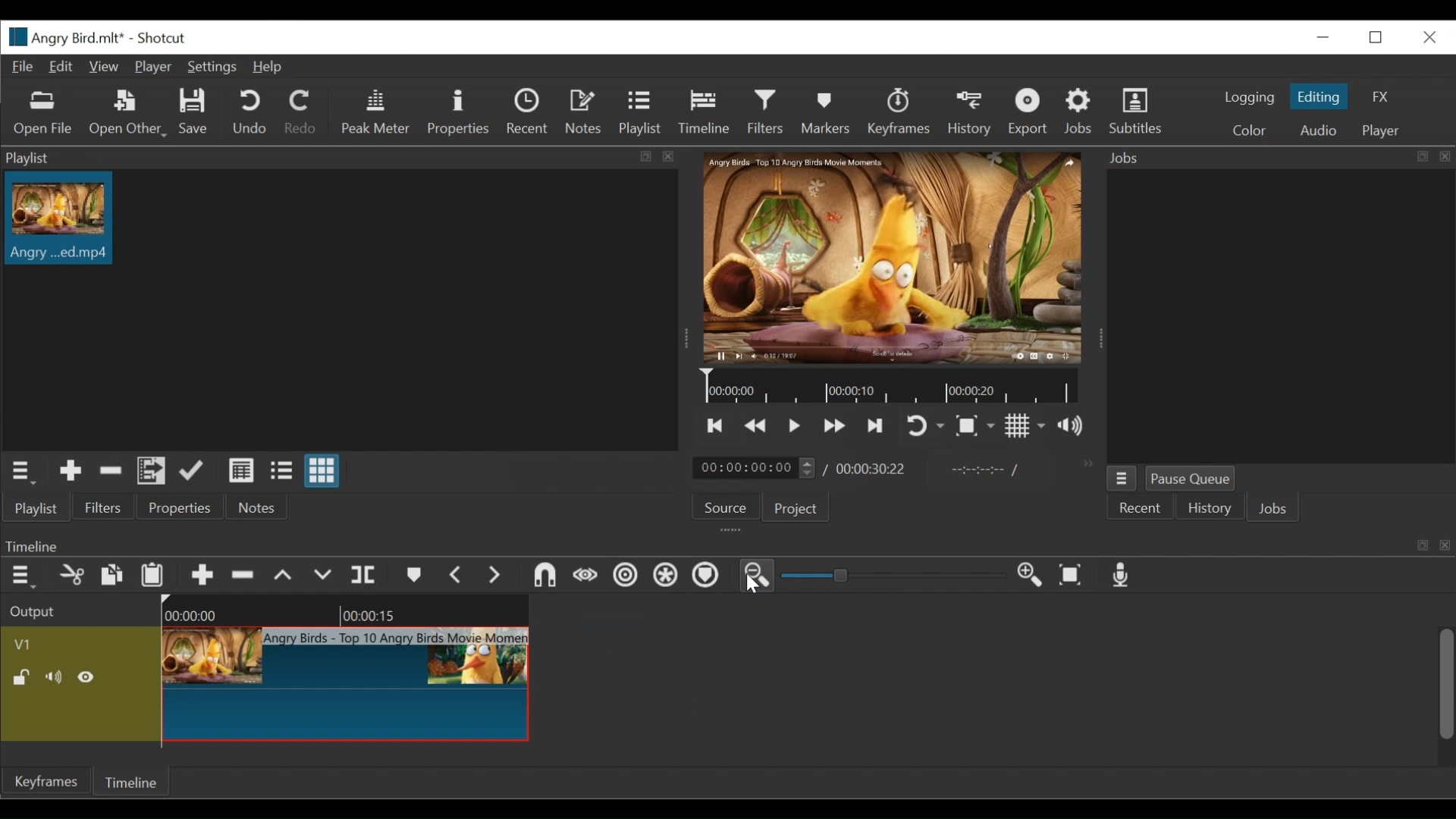 The image size is (1456, 819). Describe the element at coordinates (726, 507) in the screenshot. I see `Source` at that location.